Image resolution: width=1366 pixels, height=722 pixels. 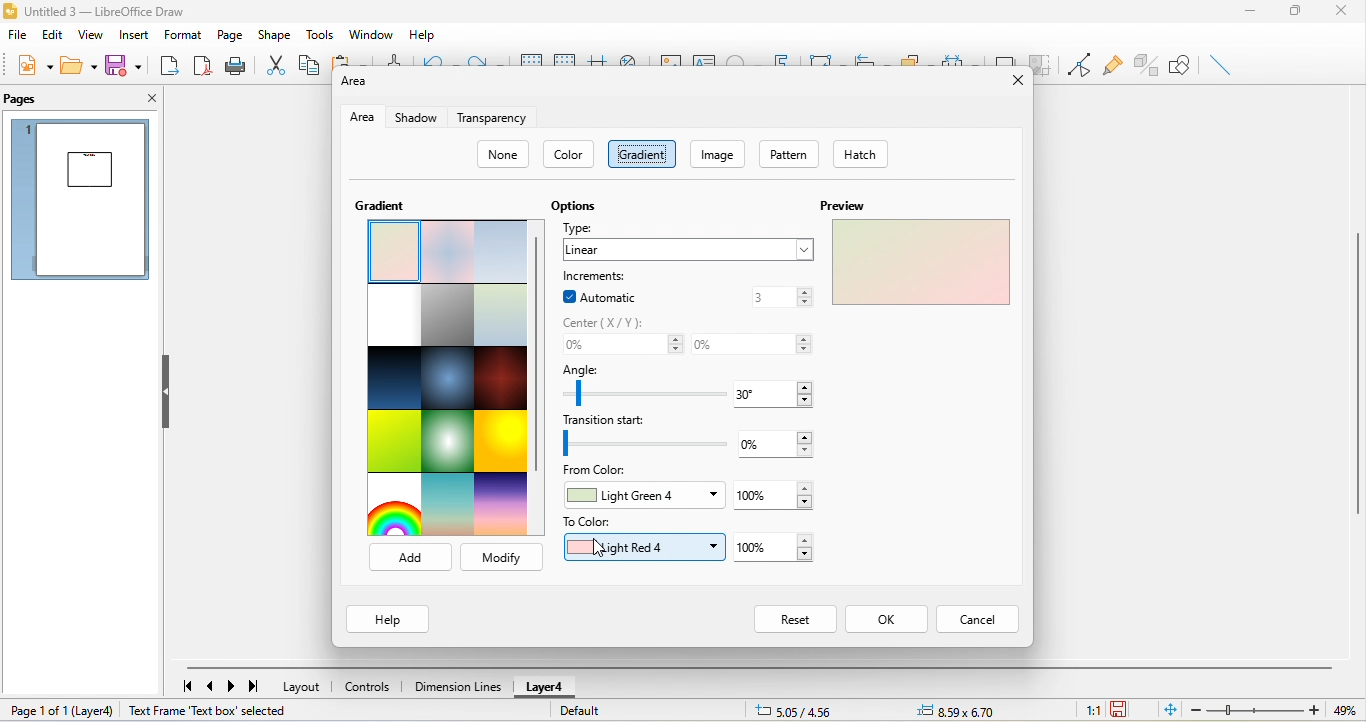 What do you see at coordinates (384, 618) in the screenshot?
I see `help` at bounding box center [384, 618].